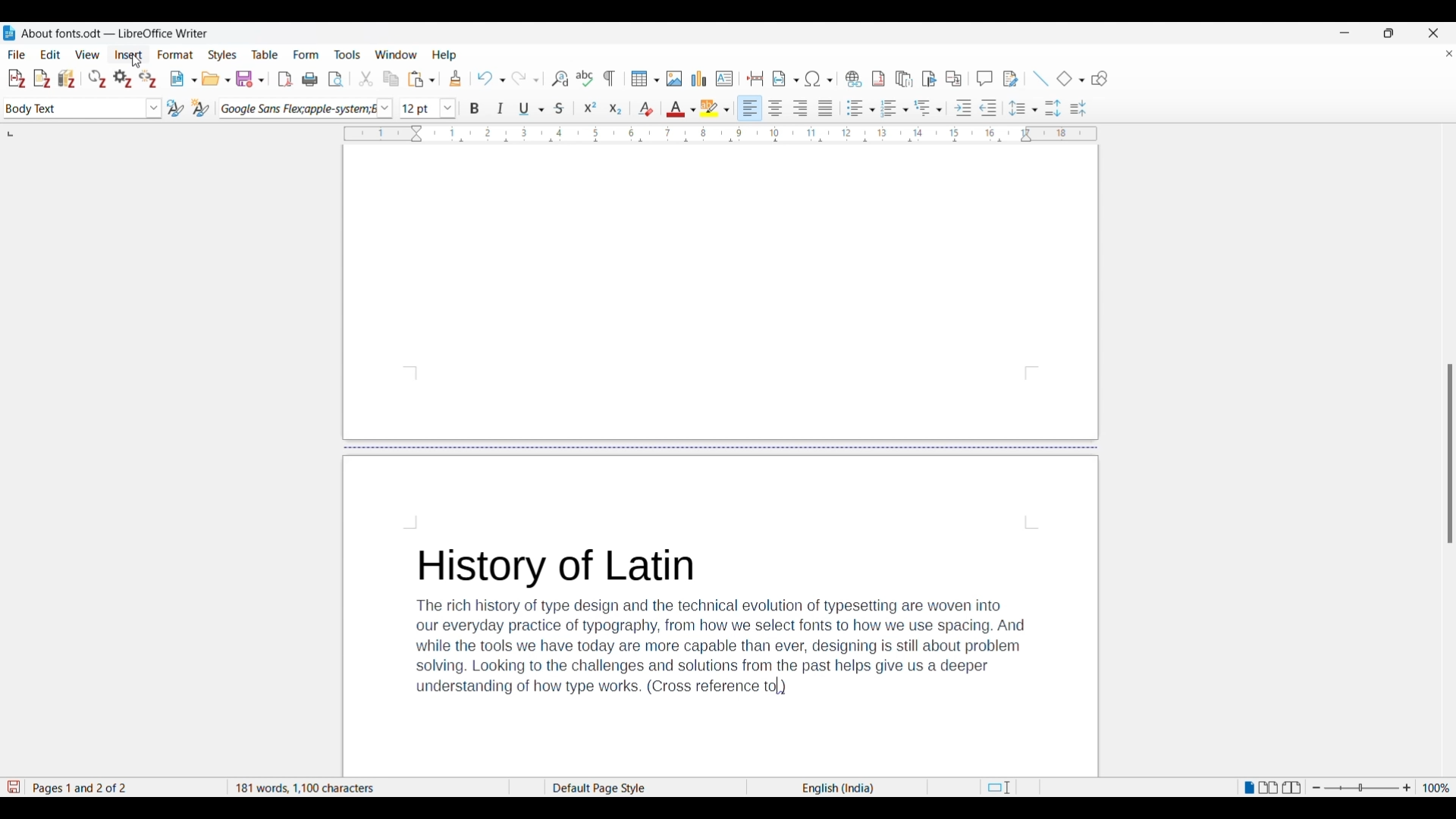 The width and height of the screenshot is (1456, 819). What do you see at coordinates (491, 79) in the screenshot?
I see `Undo options` at bounding box center [491, 79].